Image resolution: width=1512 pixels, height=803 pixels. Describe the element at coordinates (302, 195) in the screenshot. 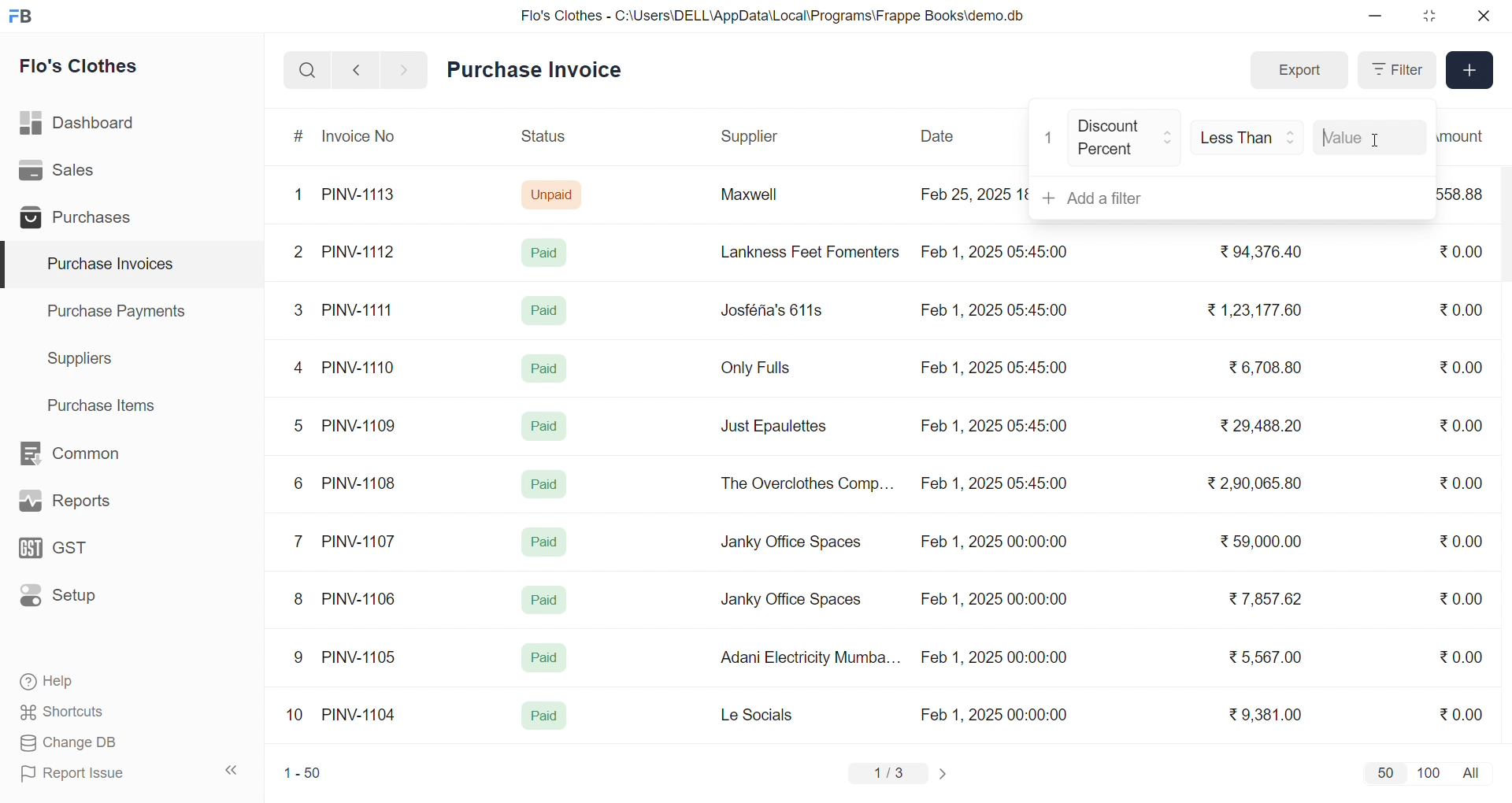

I see `1` at that location.